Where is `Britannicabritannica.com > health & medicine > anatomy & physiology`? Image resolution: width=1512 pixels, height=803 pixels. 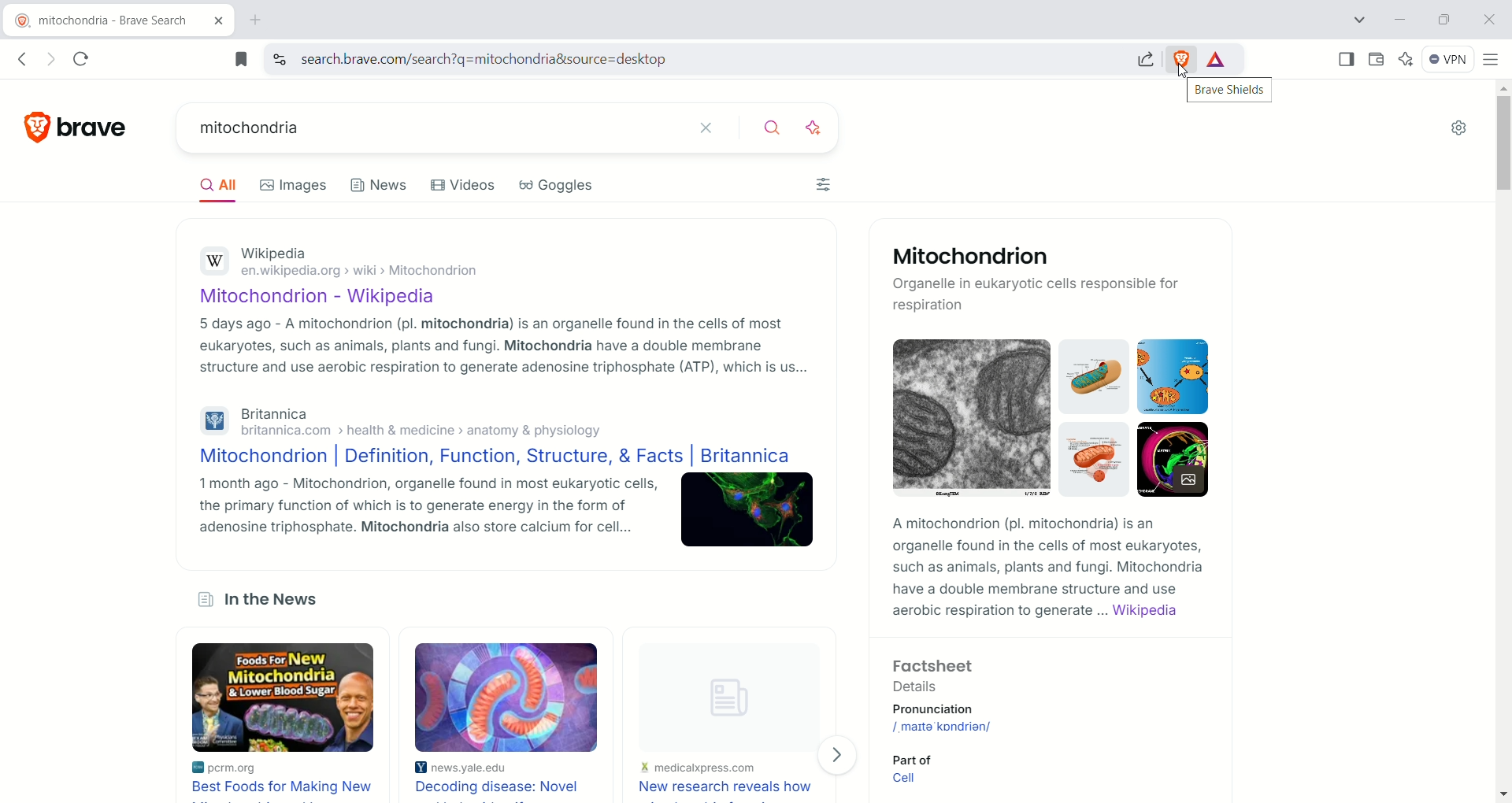
Britannicabritannica.com > health & medicine > anatomy & physiology is located at coordinates (433, 422).